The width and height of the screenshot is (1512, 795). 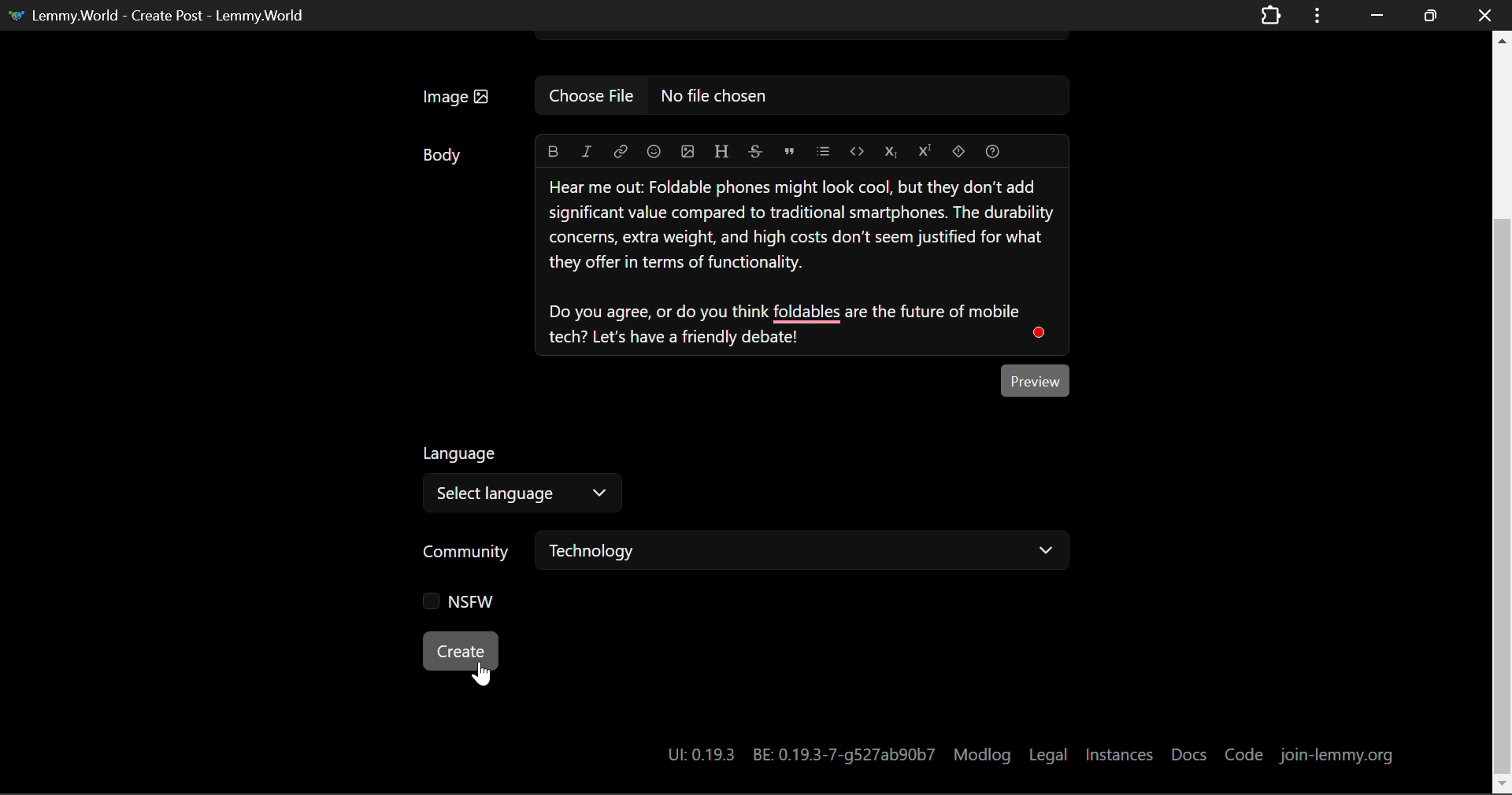 I want to click on Create Button, so click(x=458, y=651).